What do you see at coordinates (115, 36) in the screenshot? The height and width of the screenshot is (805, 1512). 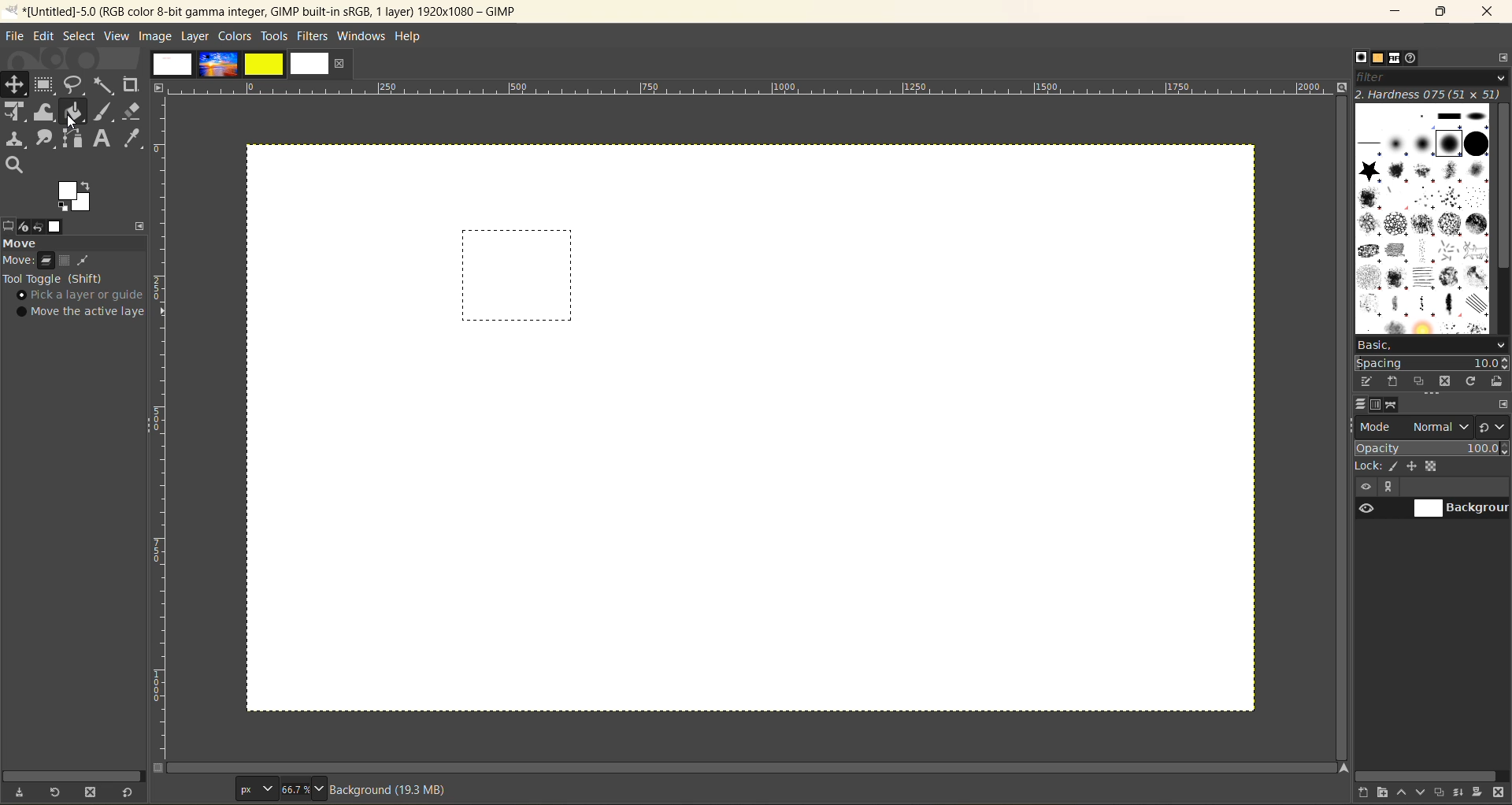 I see `view` at bounding box center [115, 36].